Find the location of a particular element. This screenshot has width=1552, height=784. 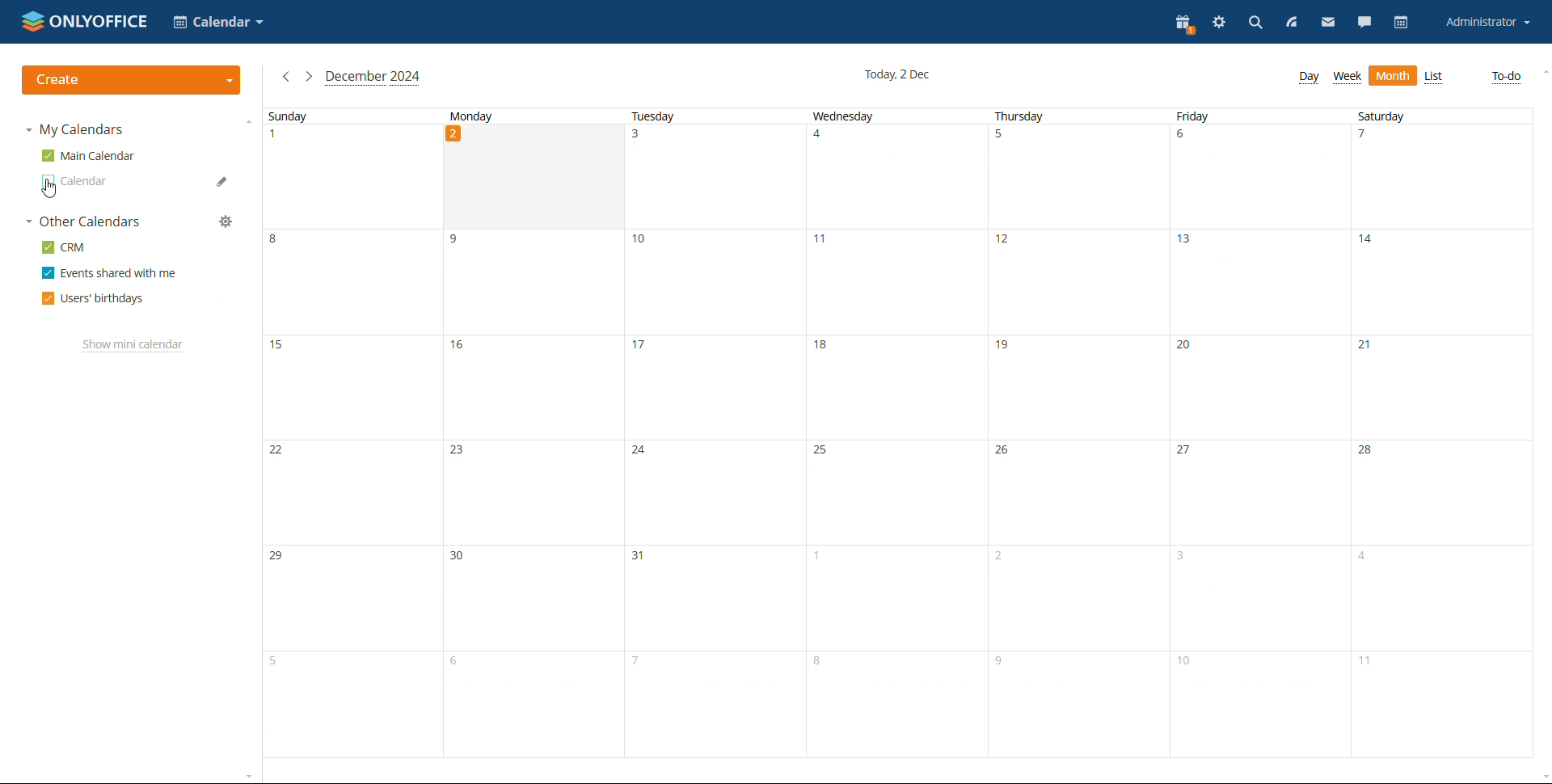

friday is located at coordinates (1263, 432).